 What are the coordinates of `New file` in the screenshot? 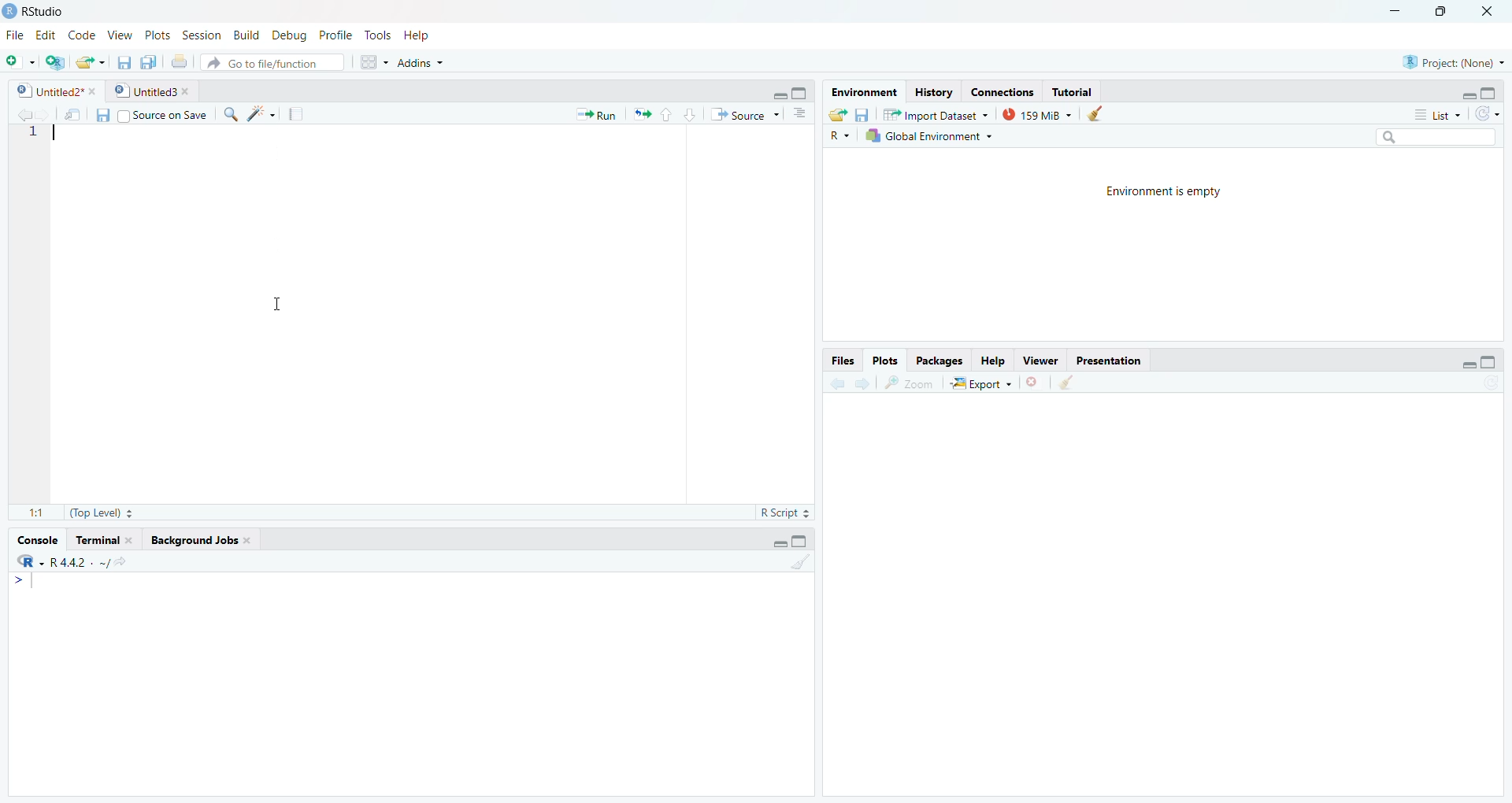 It's located at (20, 62).